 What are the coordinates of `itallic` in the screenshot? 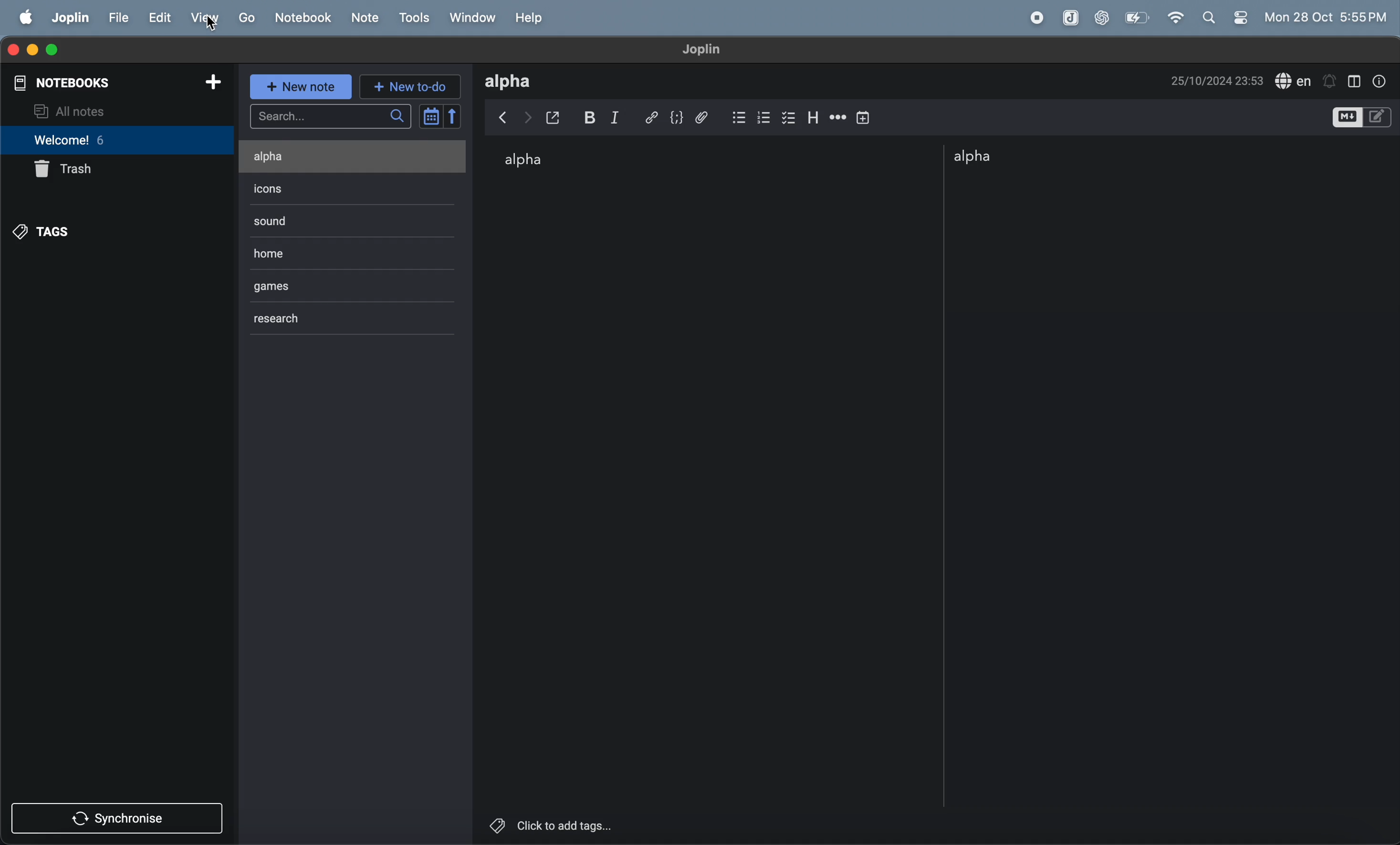 It's located at (624, 117).